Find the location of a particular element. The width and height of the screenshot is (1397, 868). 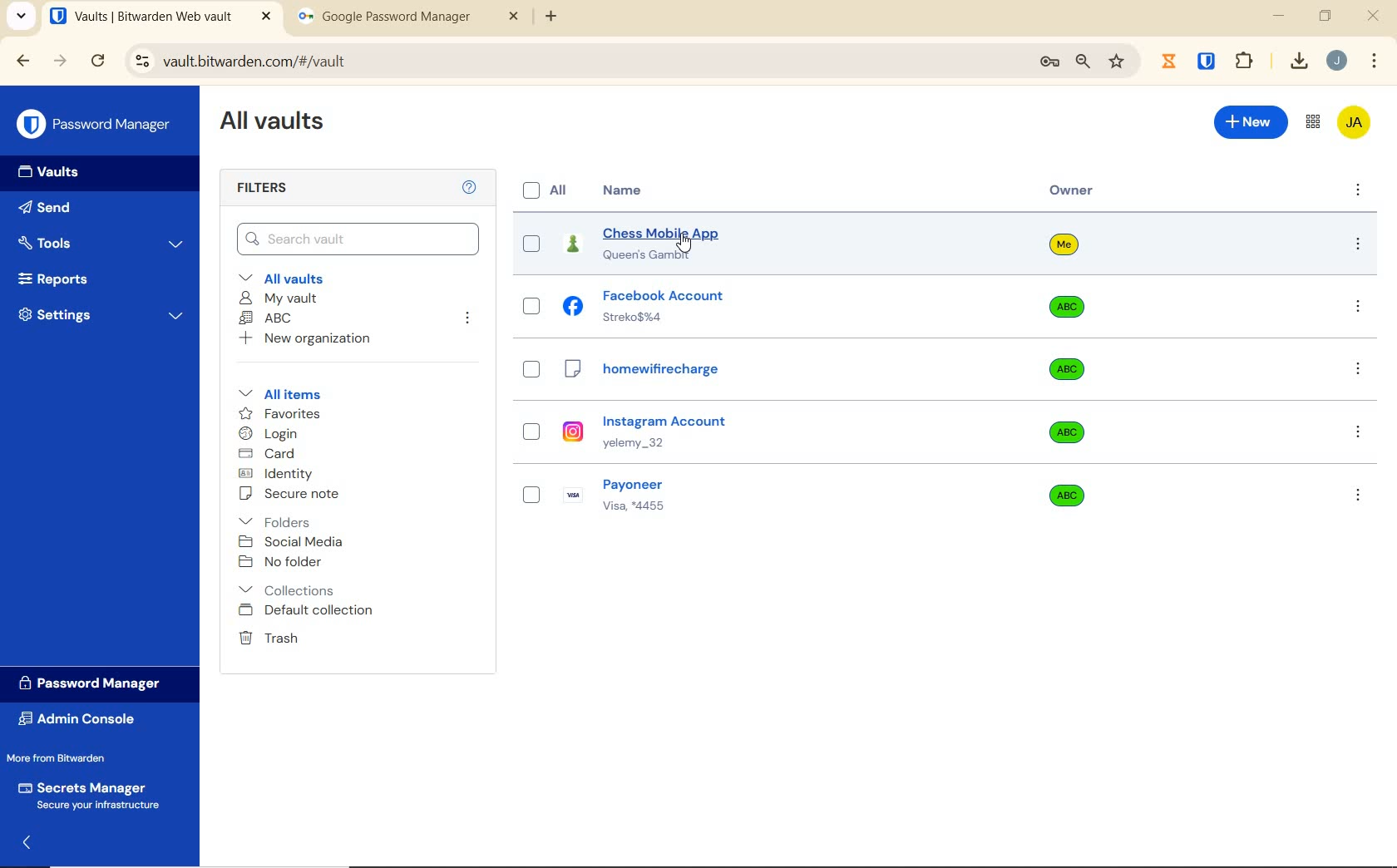

Tools is located at coordinates (104, 244).